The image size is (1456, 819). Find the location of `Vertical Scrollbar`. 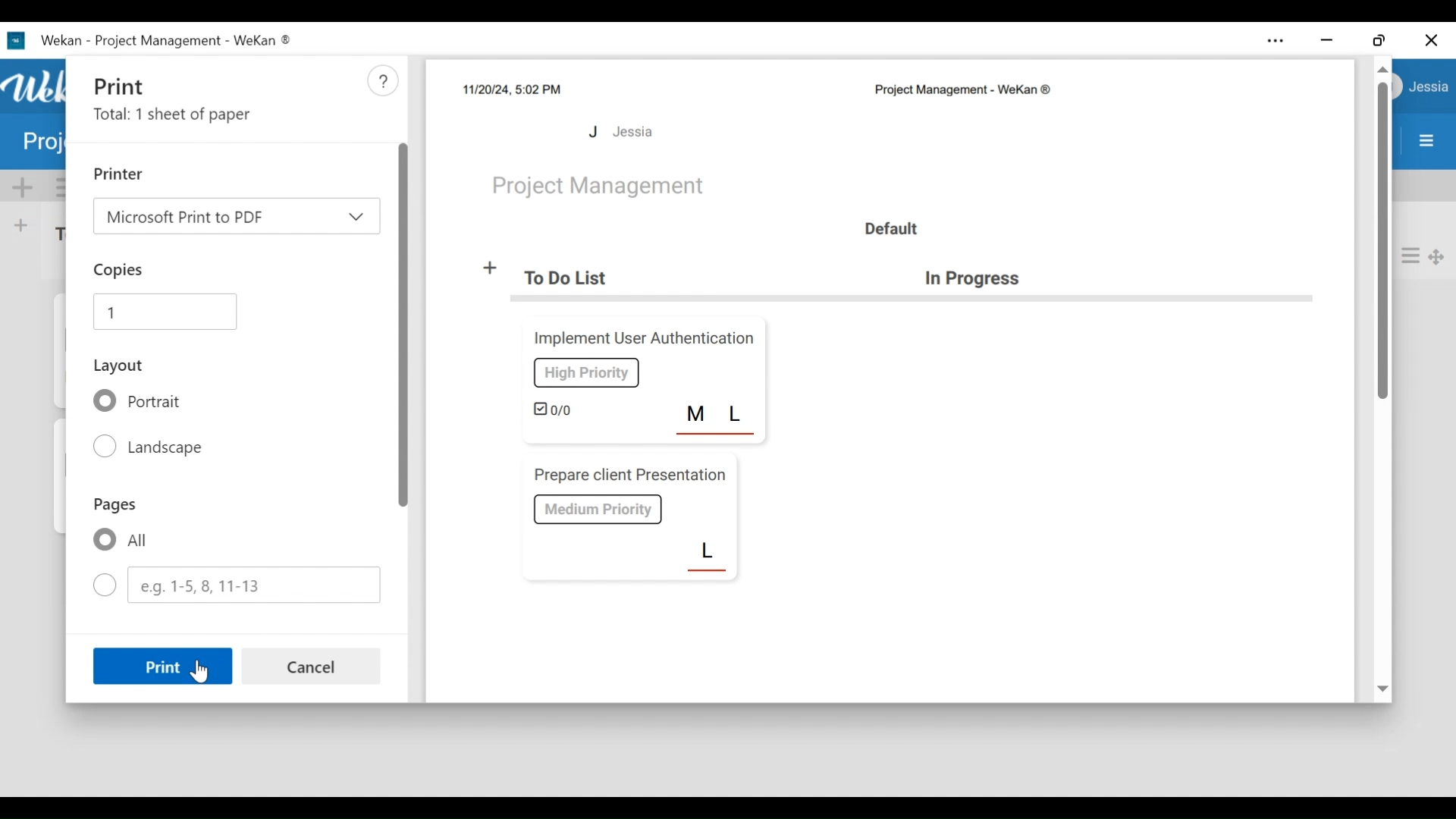

Vertical Scrollbar is located at coordinates (1385, 243).